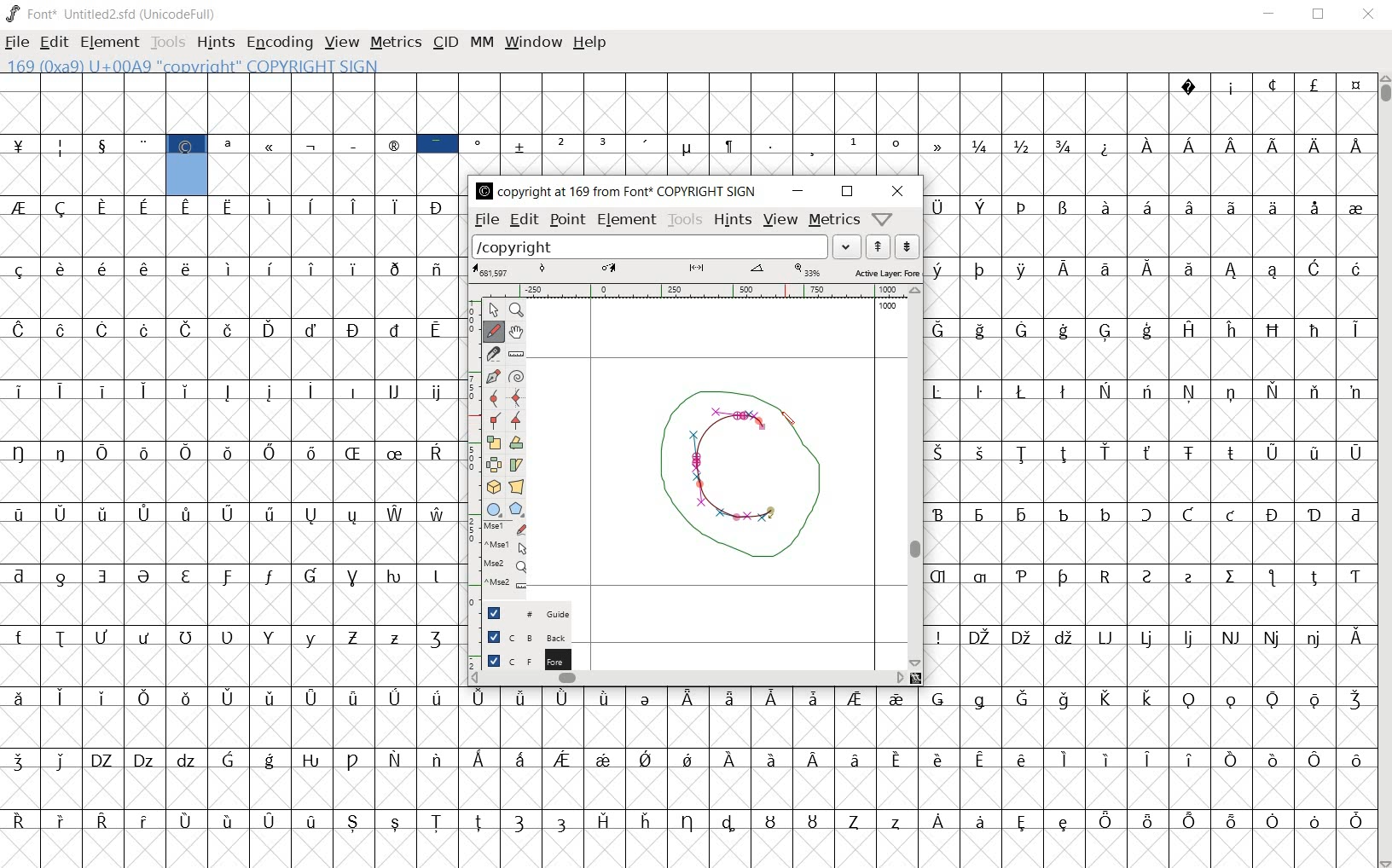 The width and height of the screenshot is (1392, 868). What do you see at coordinates (228, 533) in the screenshot?
I see `glyphs` at bounding box center [228, 533].